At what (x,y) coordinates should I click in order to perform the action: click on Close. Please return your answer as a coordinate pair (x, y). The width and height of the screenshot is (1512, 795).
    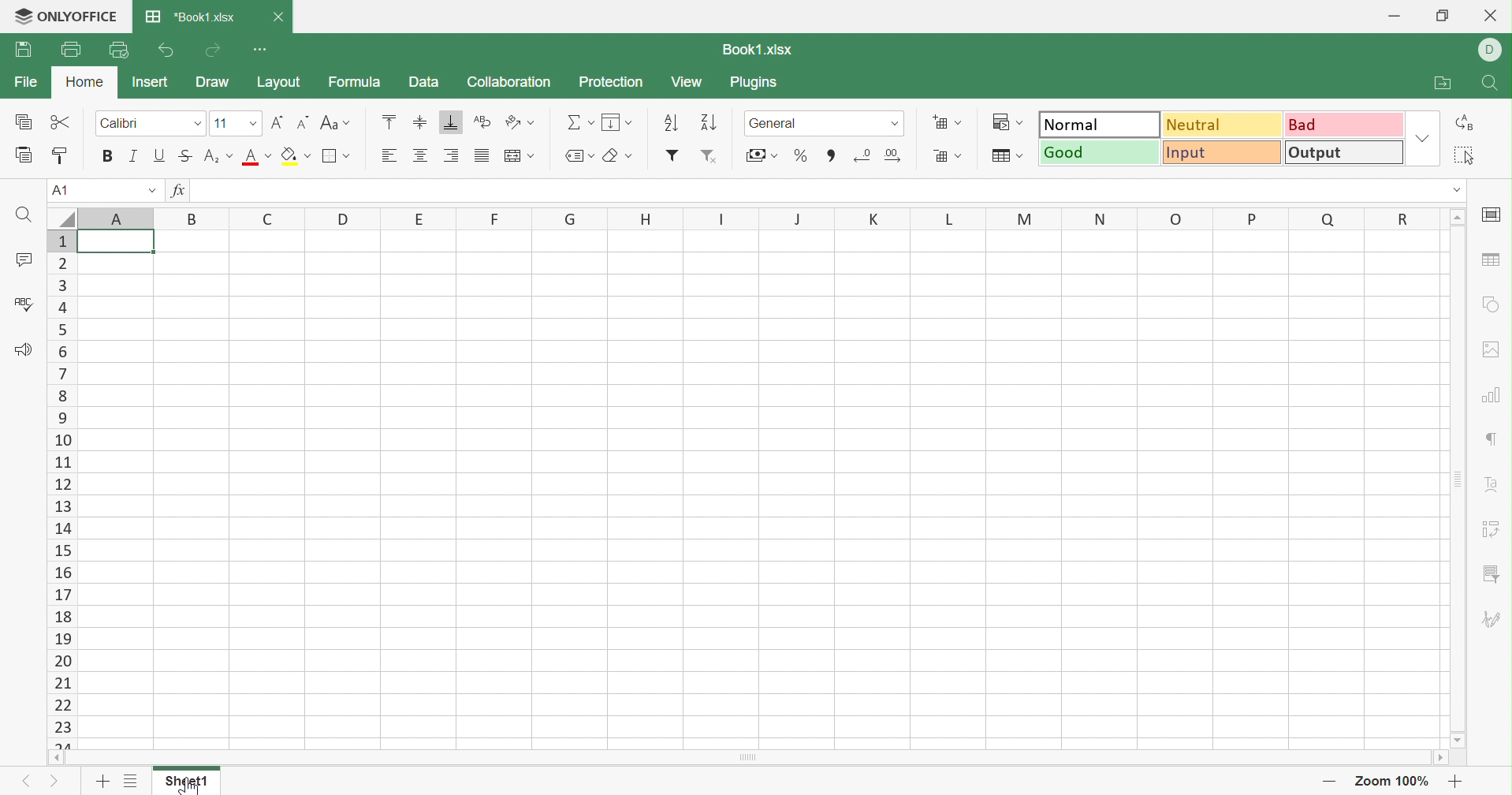
    Looking at the image, I should click on (277, 17).